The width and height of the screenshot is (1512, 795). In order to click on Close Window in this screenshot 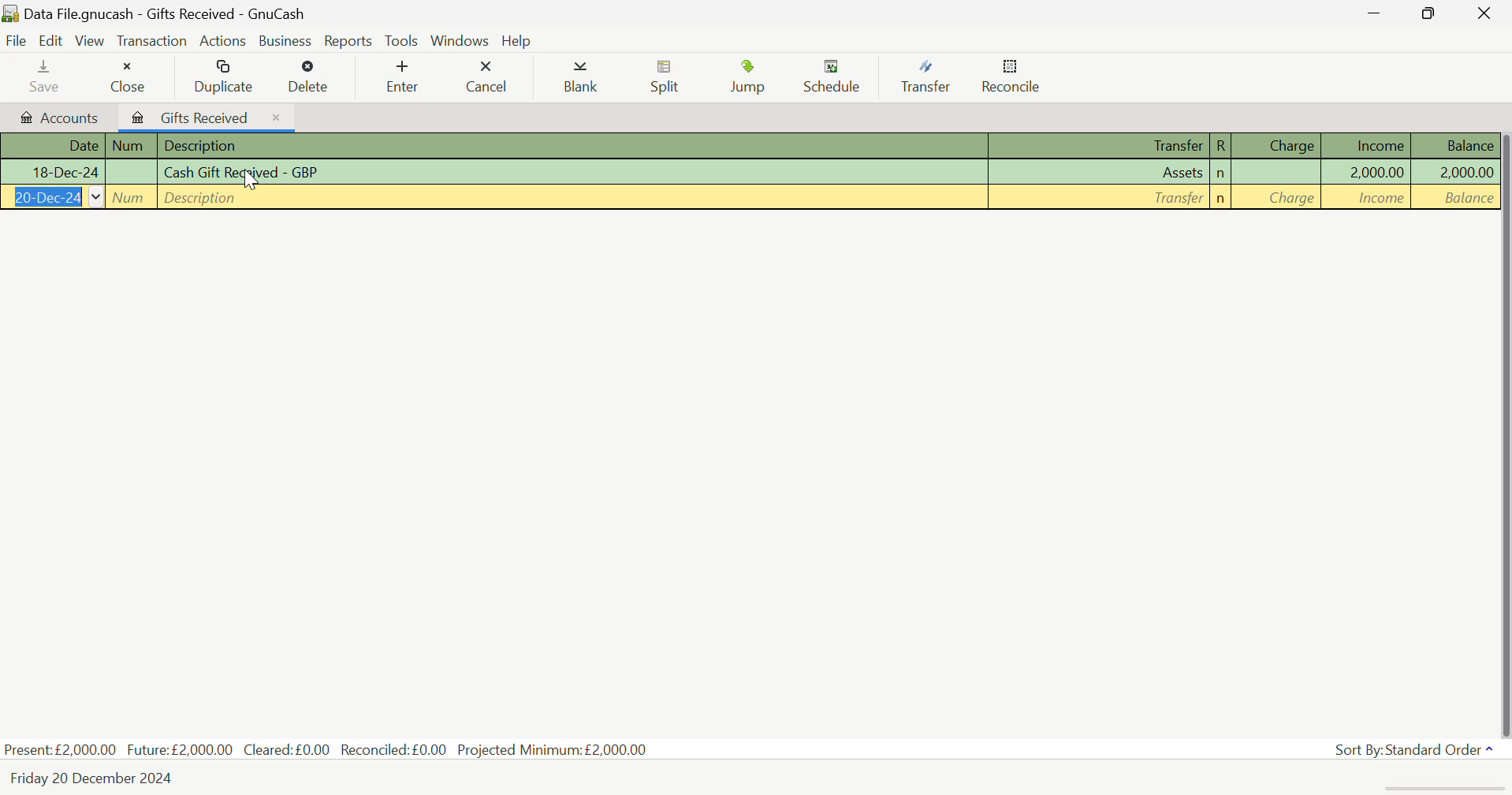, I will do `click(1488, 12)`.